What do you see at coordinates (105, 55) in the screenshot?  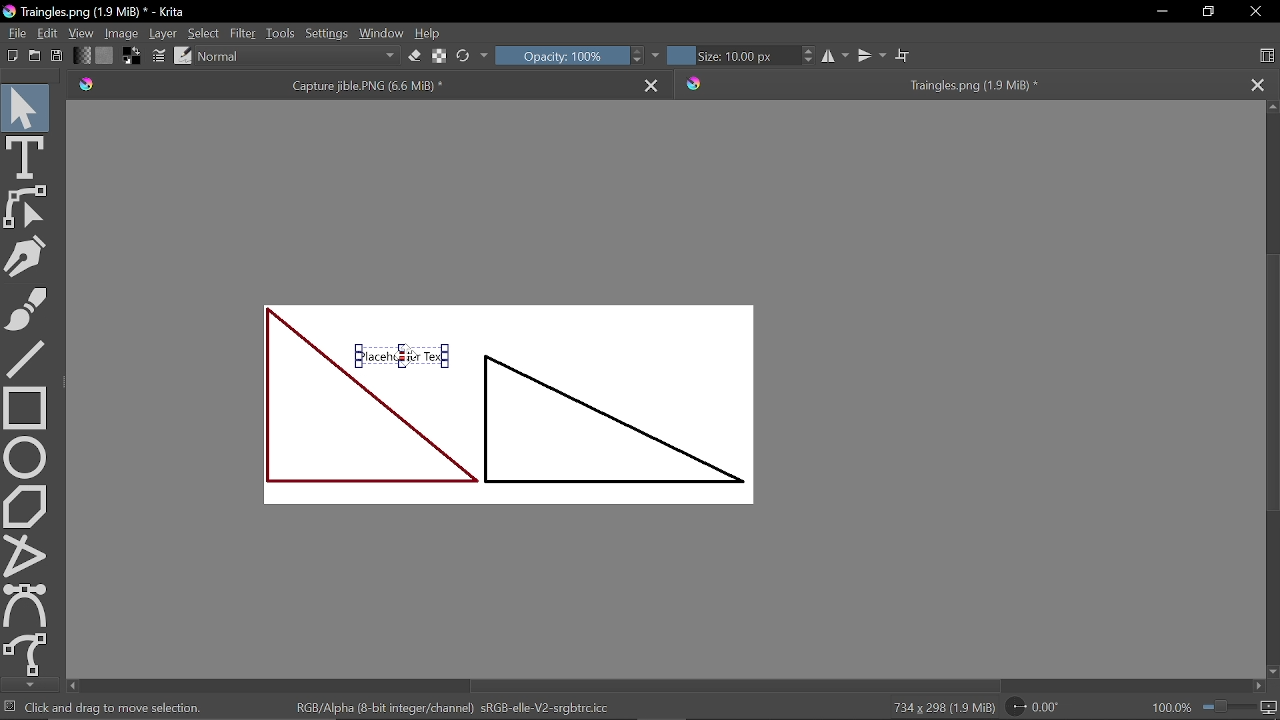 I see `Fill pattern` at bounding box center [105, 55].